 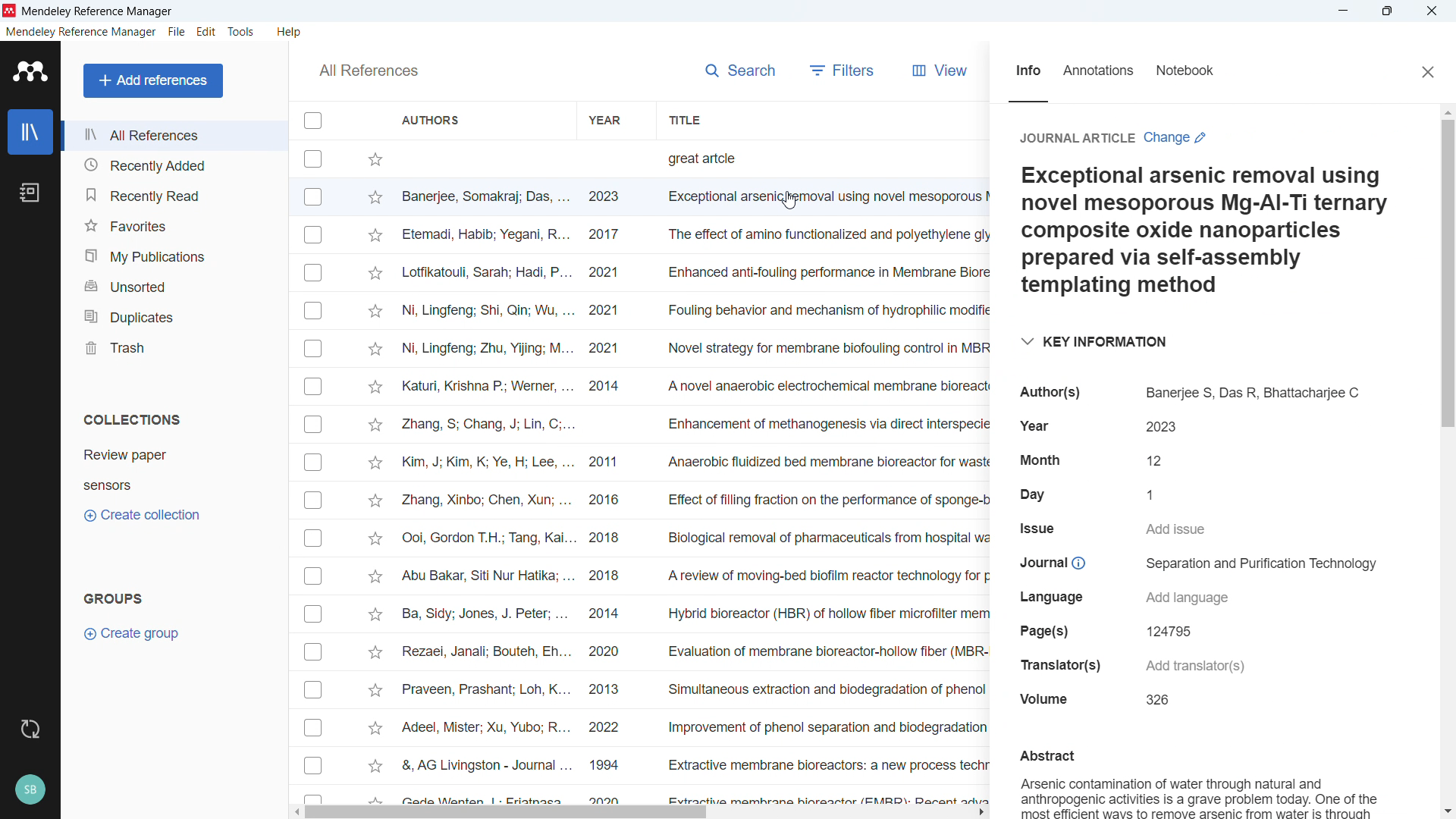 What do you see at coordinates (940, 71) in the screenshot?
I see `View` at bounding box center [940, 71].